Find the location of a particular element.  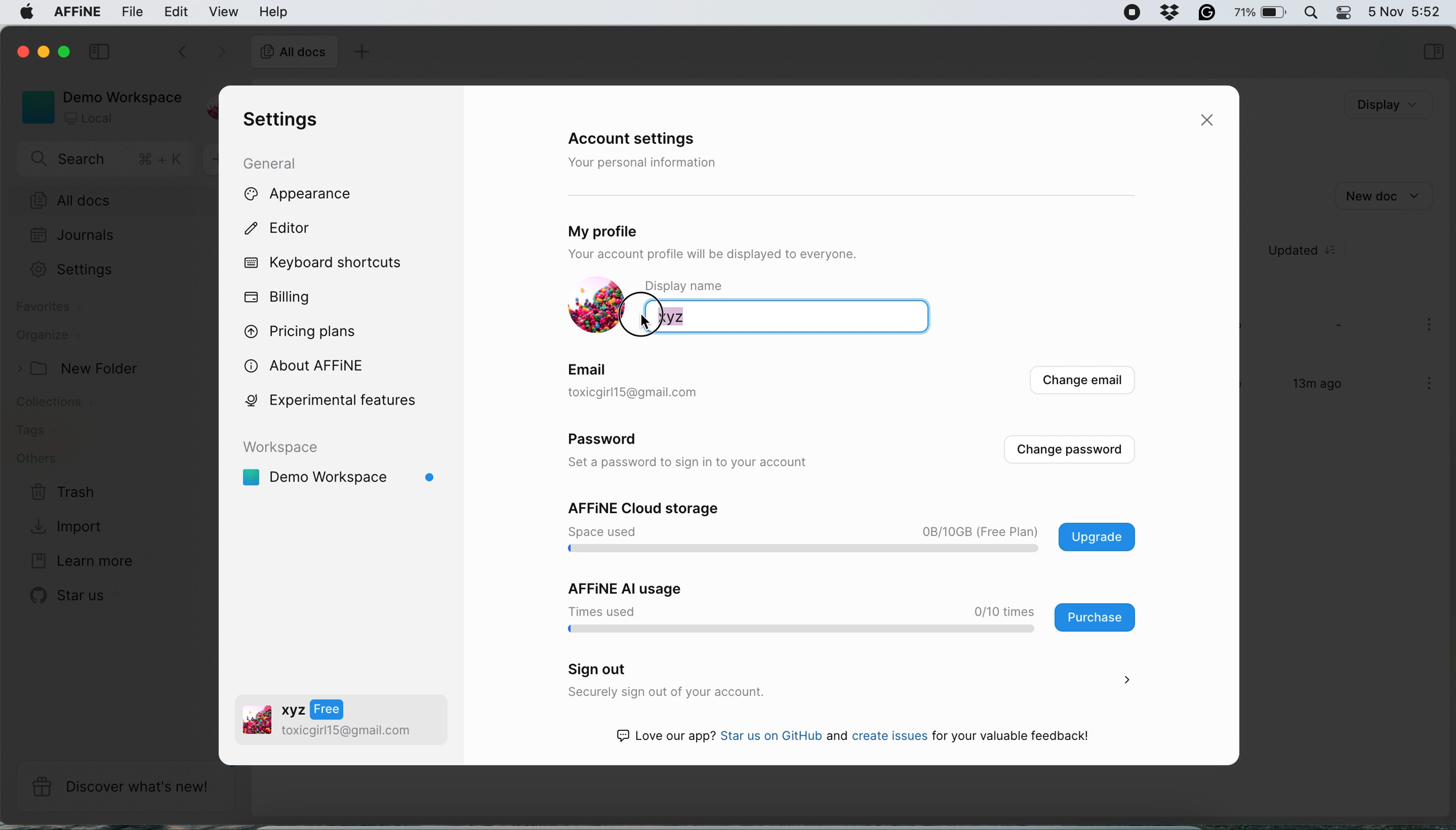

sign out securely sign out of your account is located at coordinates (845, 681).